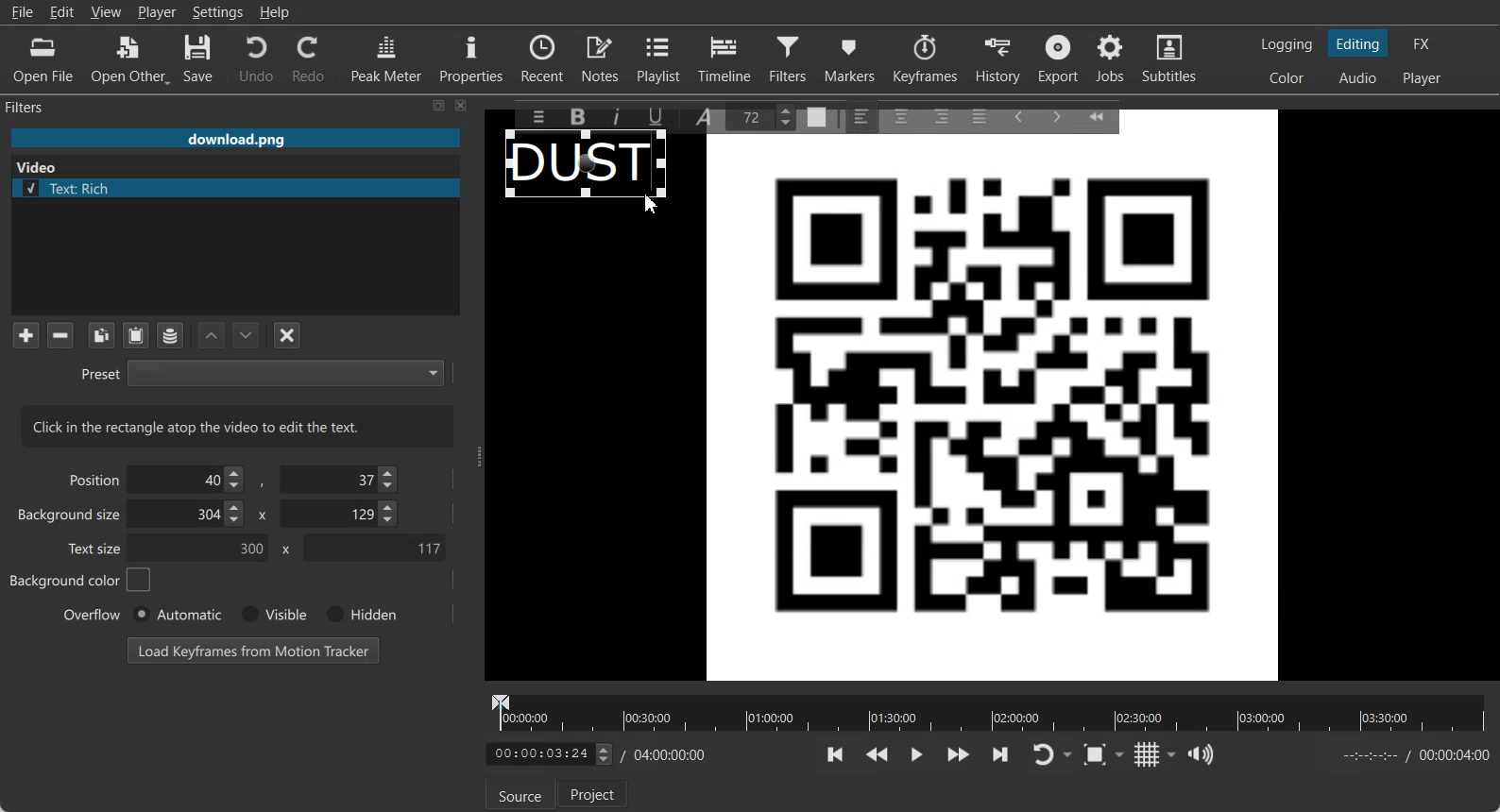 Image resolution: width=1500 pixels, height=812 pixels. What do you see at coordinates (1411, 755) in the screenshot?
I see `End time ` at bounding box center [1411, 755].